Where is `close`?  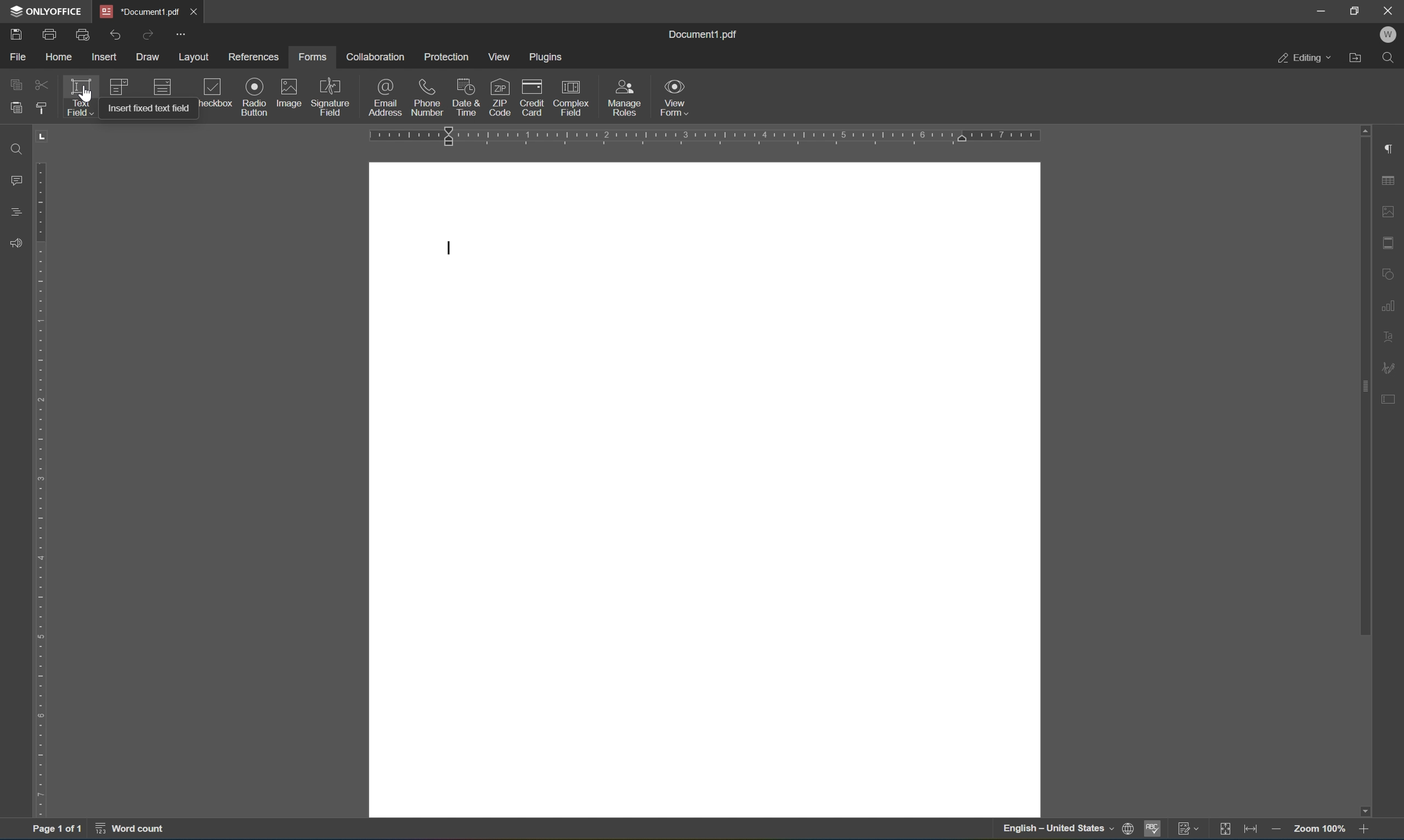 close is located at coordinates (1390, 9).